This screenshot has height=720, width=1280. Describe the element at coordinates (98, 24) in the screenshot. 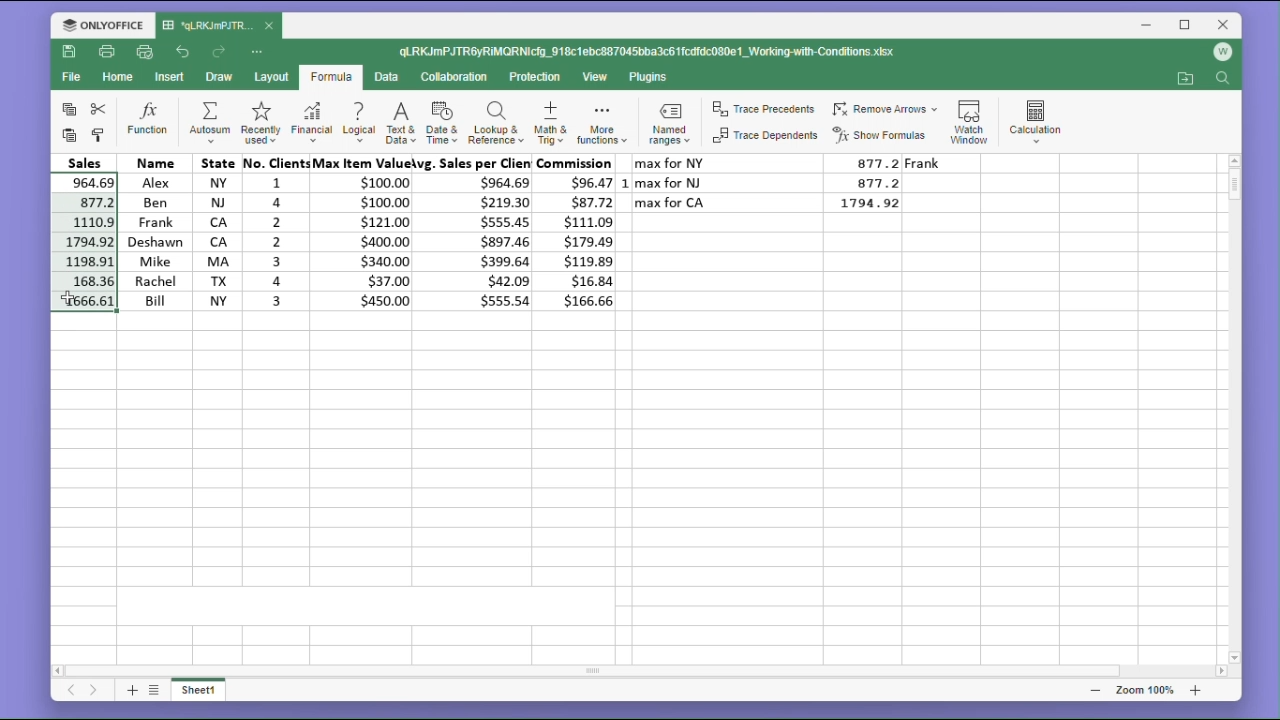

I see `onlyoffice` at that location.